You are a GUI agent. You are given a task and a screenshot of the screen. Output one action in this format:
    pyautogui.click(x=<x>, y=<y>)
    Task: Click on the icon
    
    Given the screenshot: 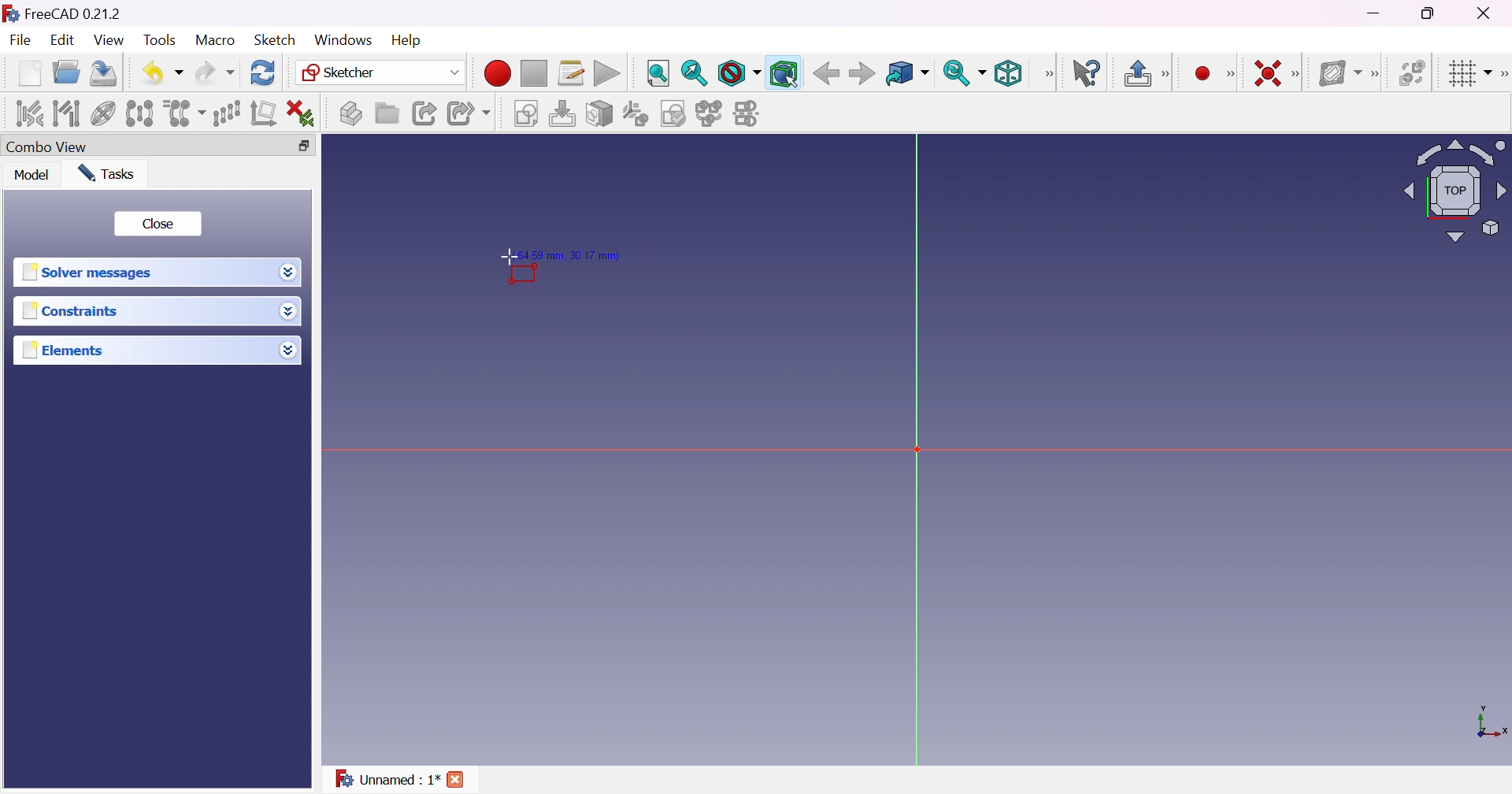 What is the action you would take?
    pyautogui.click(x=10, y=13)
    